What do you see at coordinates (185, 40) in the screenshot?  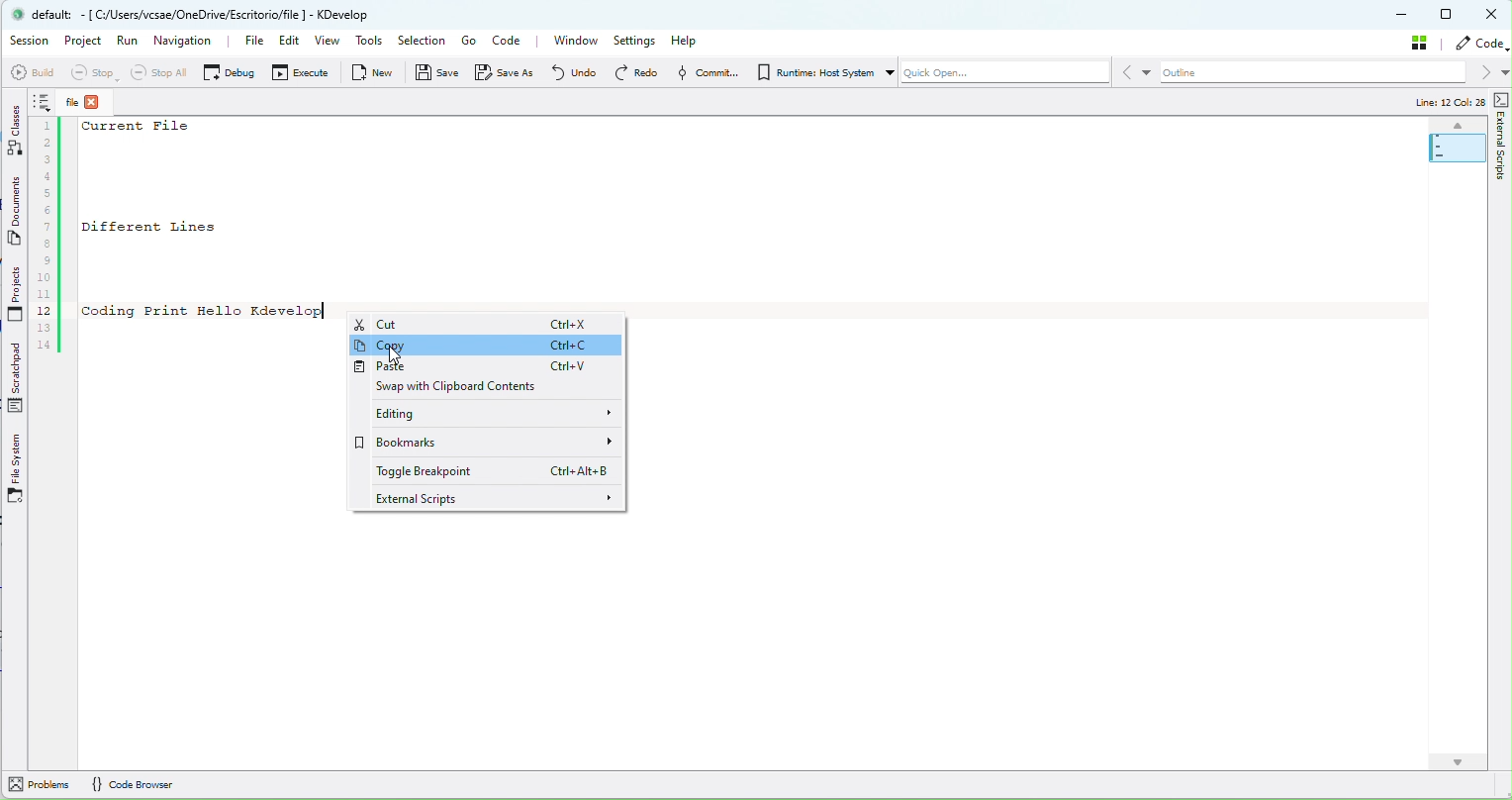 I see `navigation` at bounding box center [185, 40].